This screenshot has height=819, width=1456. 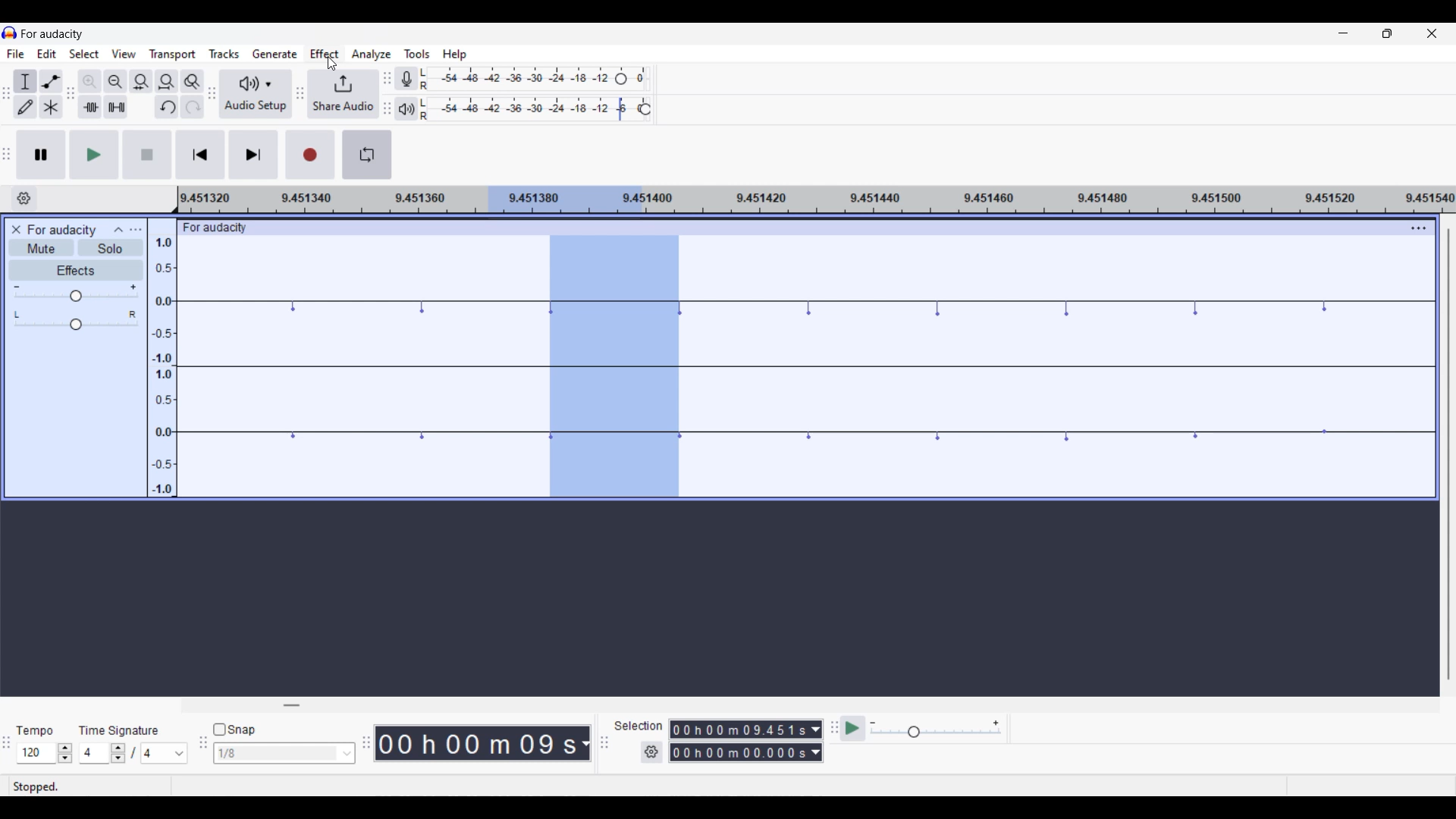 I want to click on Tempo settings, so click(x=45, y=752).